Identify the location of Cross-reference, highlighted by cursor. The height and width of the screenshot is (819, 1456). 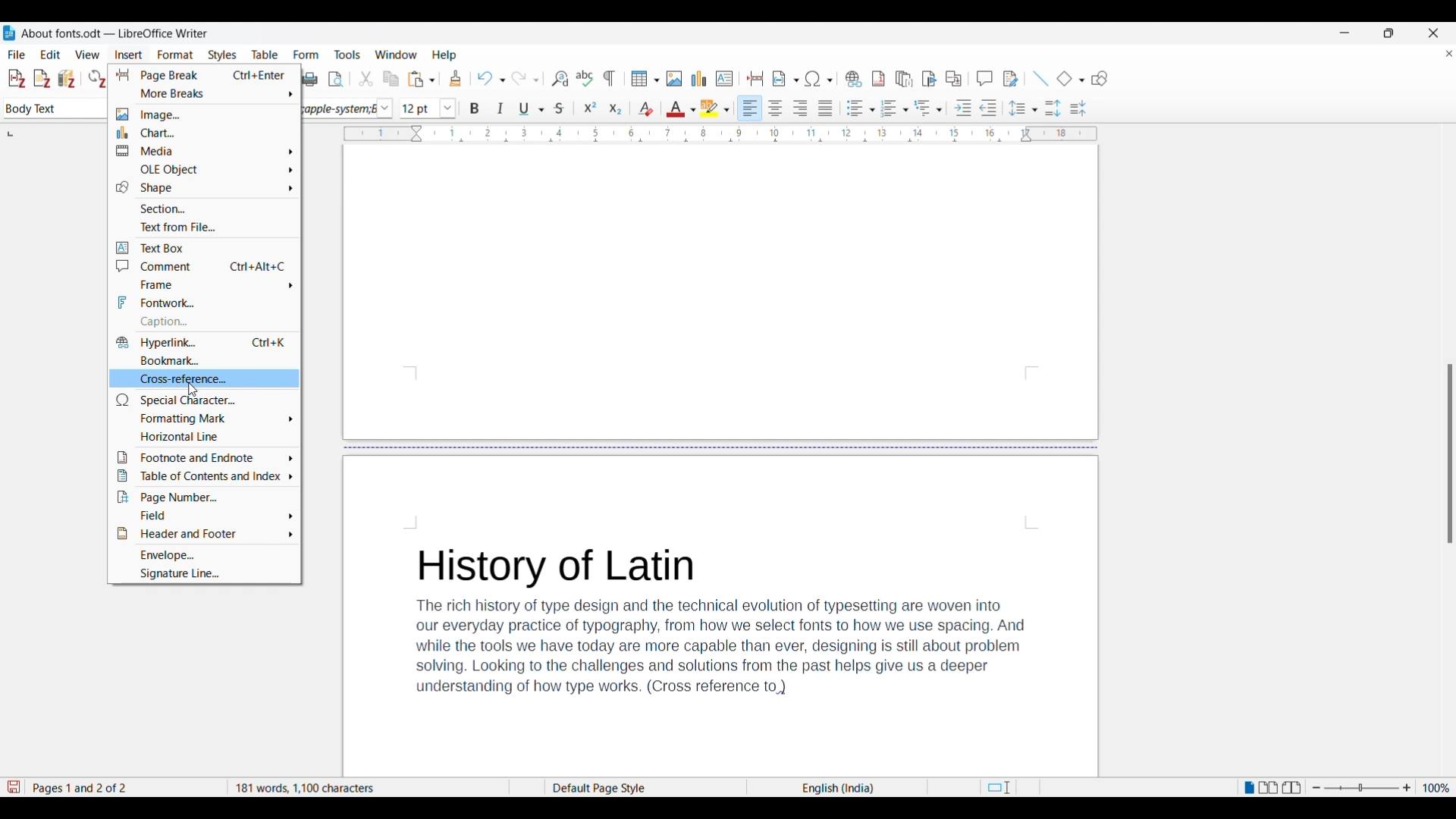
(204, 378).